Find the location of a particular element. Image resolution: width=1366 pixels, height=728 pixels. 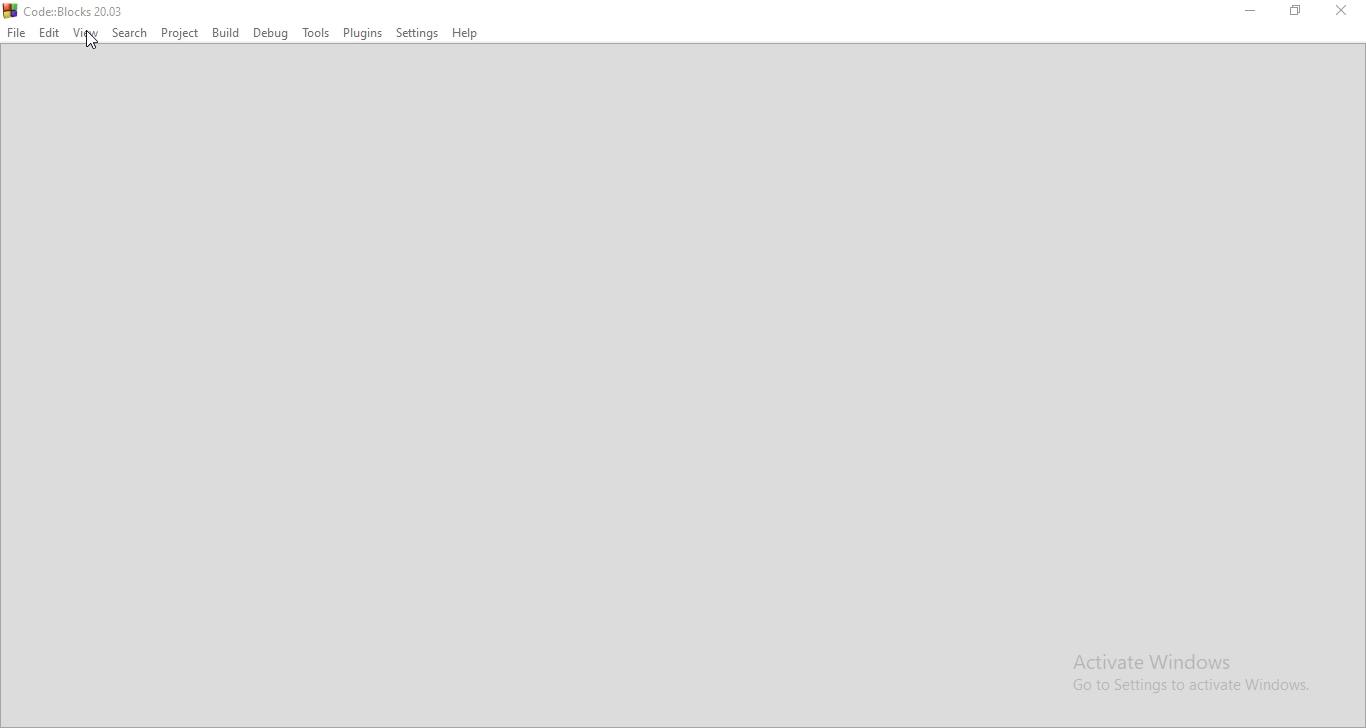

Tools  is located at coordinates (317, 33).